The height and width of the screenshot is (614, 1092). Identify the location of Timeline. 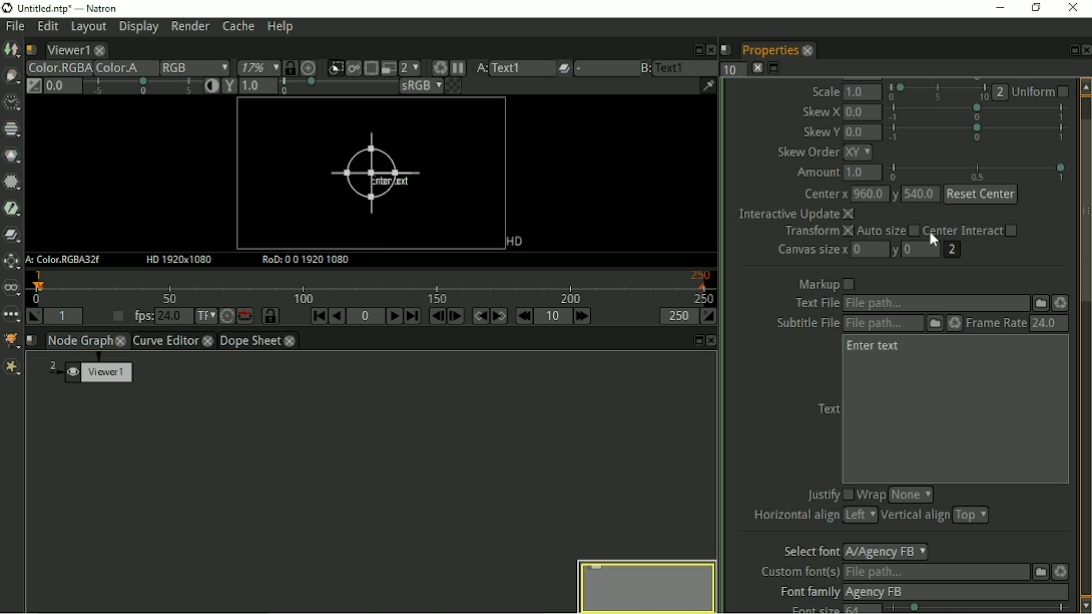
(374, 287).